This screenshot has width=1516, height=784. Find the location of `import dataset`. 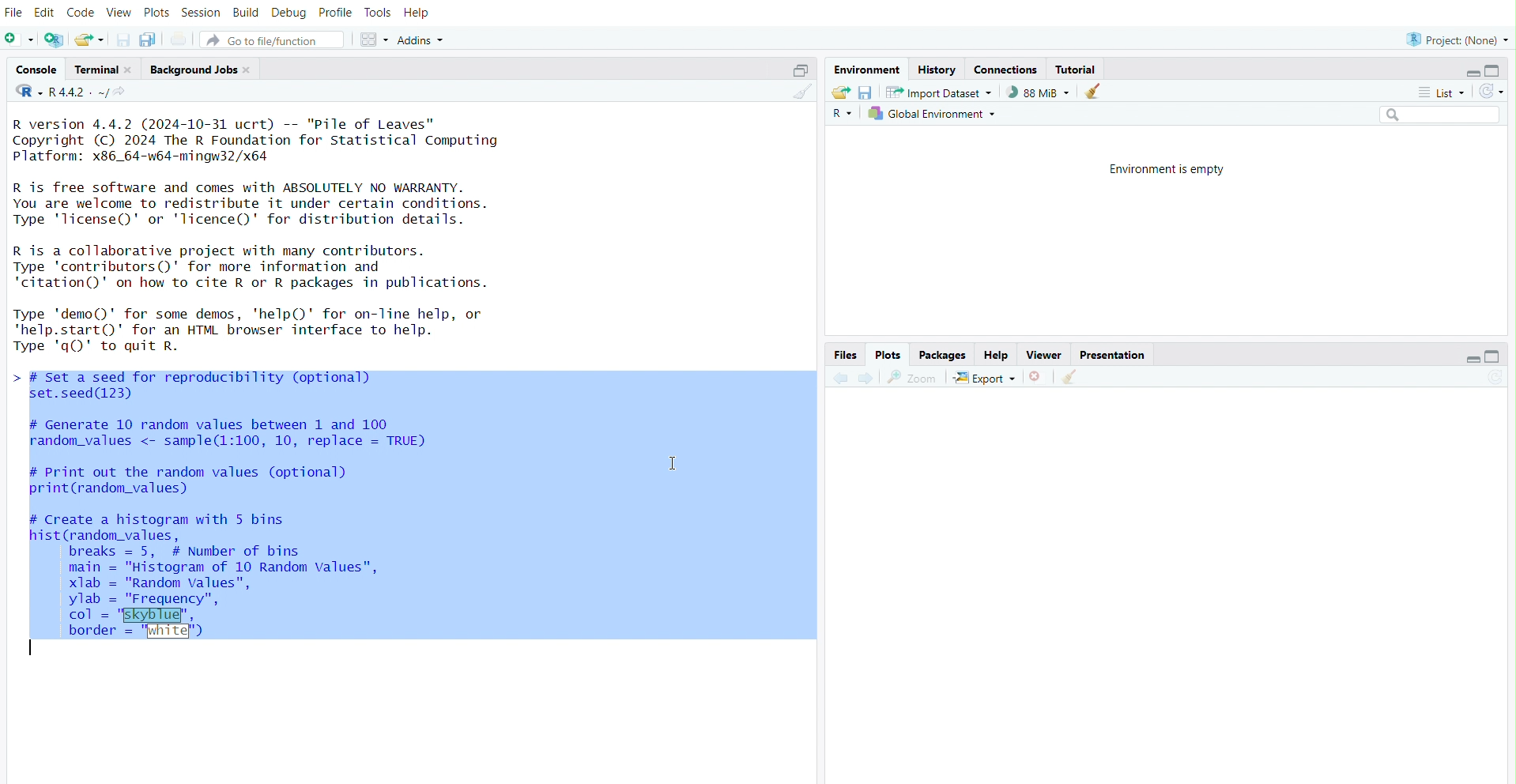

import dataset is located at coordinates (941, 92).